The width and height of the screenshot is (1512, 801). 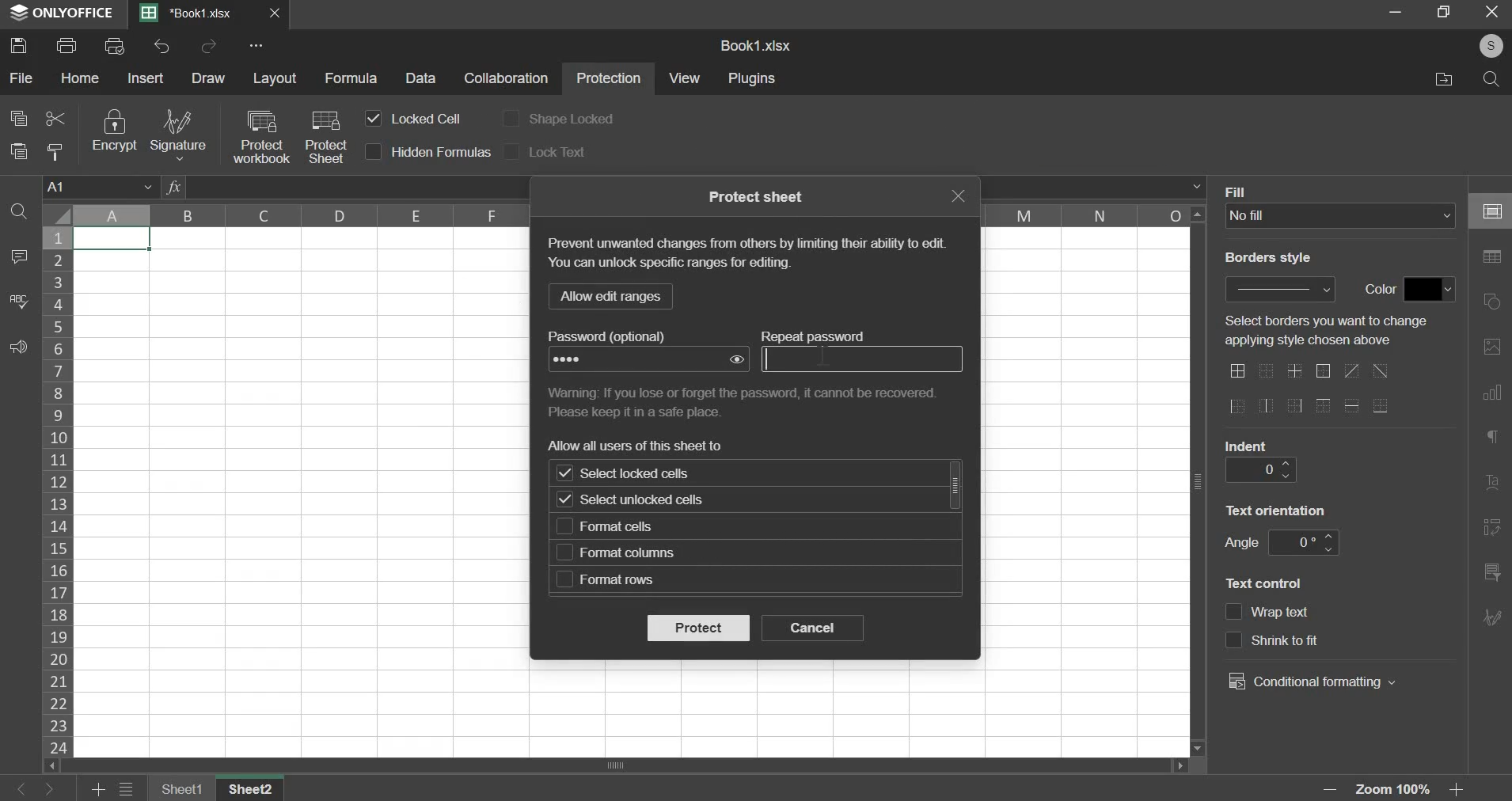 I want to click on border style, so click(x=1282, y=288).